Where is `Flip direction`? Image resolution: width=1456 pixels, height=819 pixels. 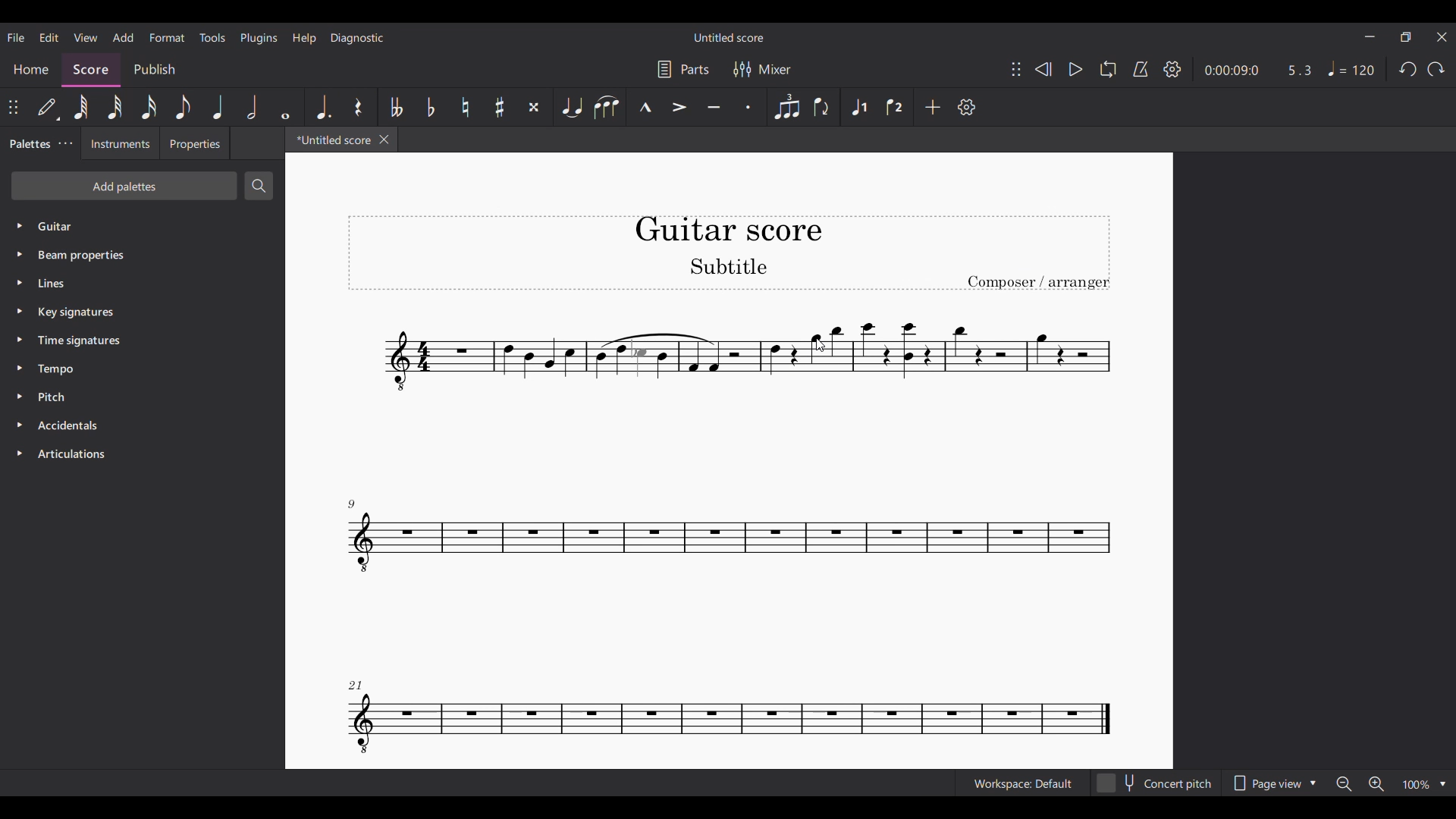
Flip direction is located at coordinates (823, 107).